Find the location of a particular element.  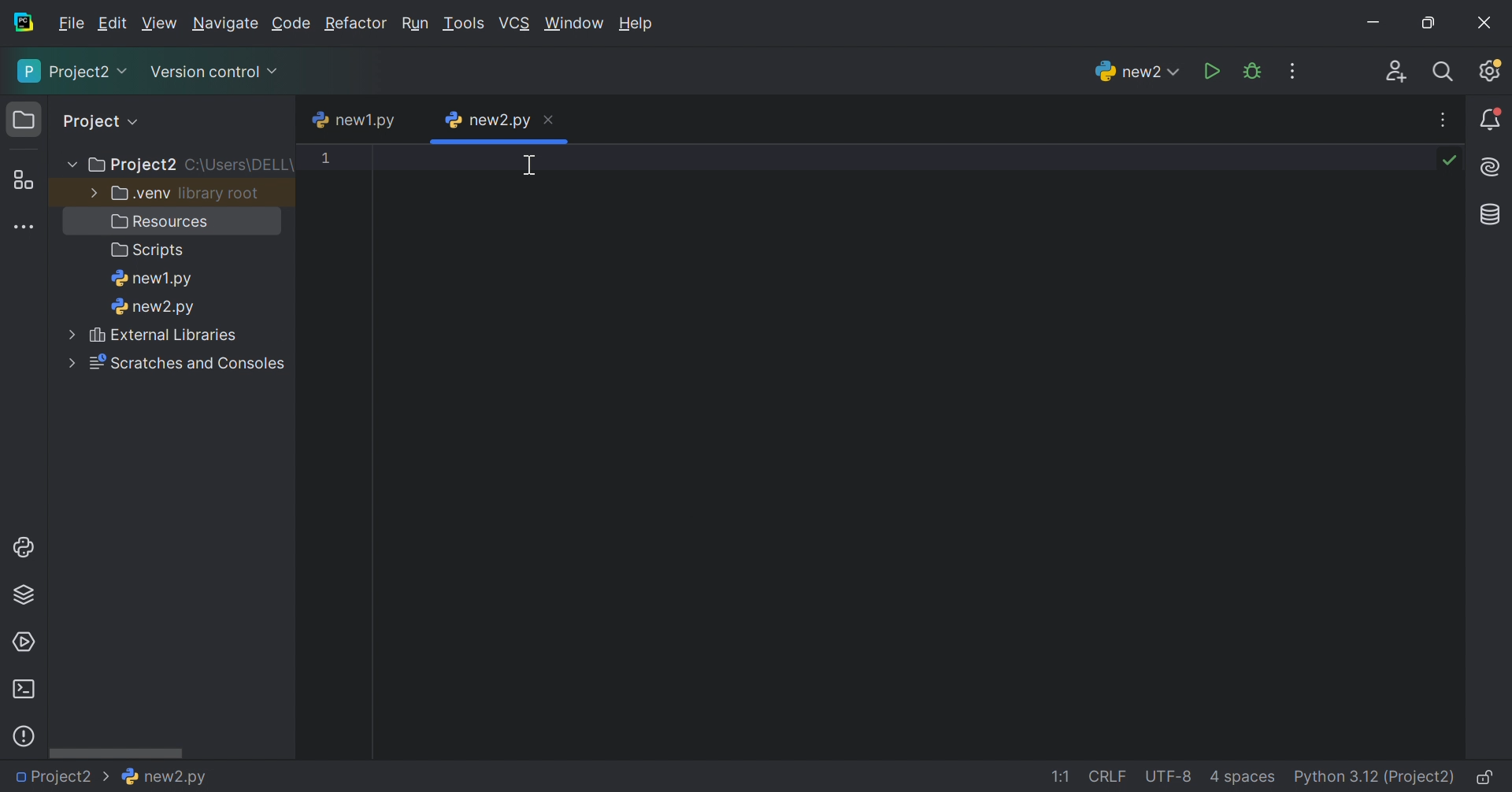

Scroll bar is located at coordinates (114, 749).